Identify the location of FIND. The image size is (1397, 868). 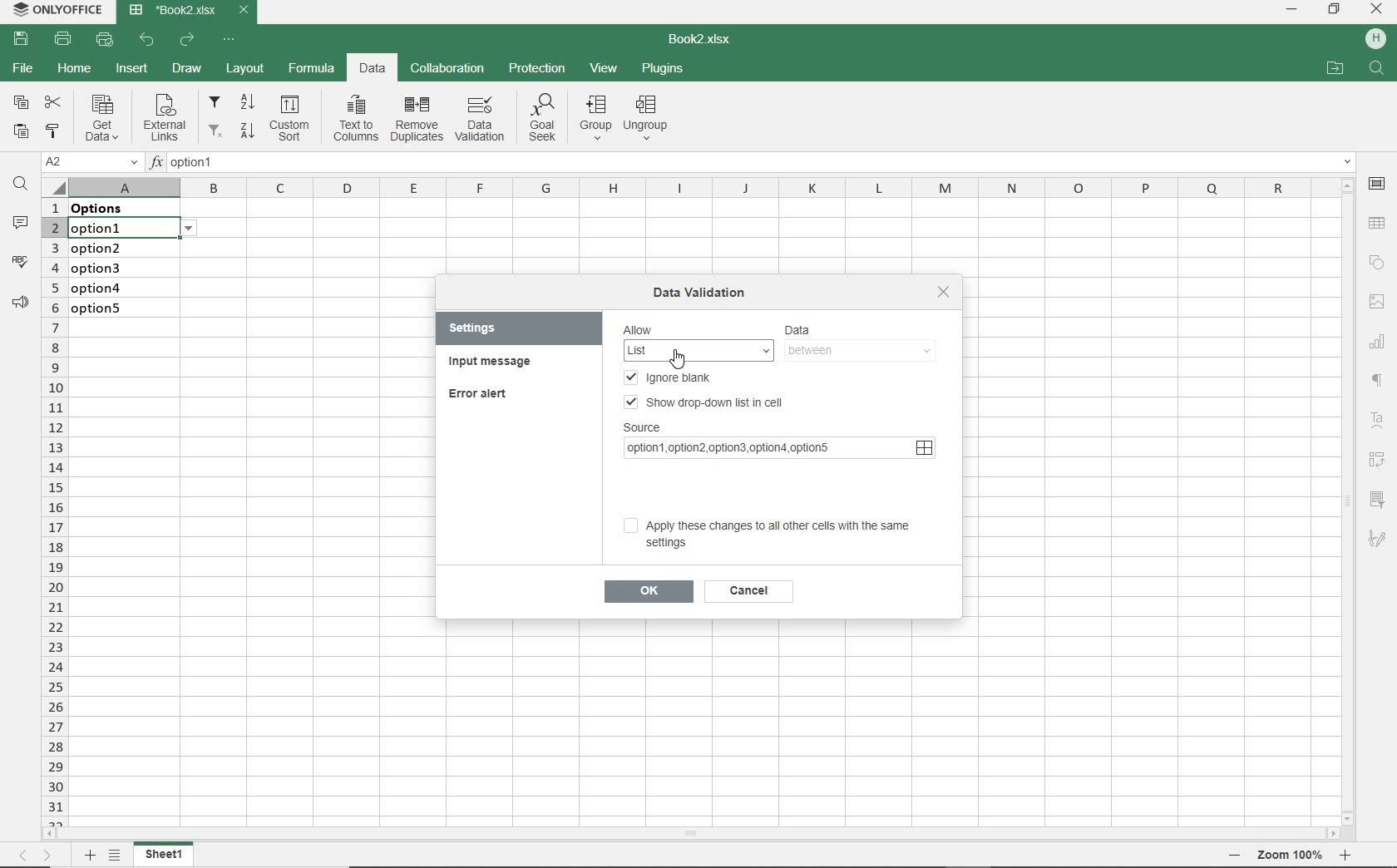
(19, 184).